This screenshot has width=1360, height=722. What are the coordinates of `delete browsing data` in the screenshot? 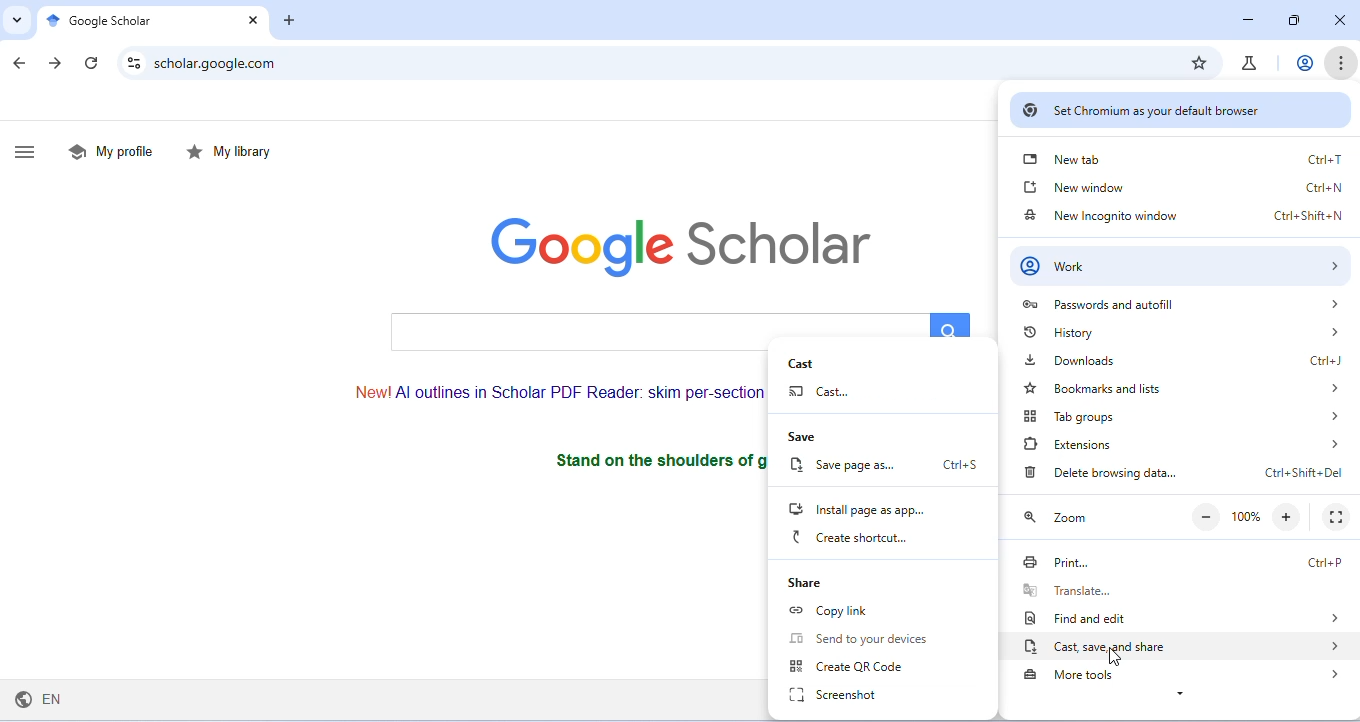 It's located at (1185, 472).